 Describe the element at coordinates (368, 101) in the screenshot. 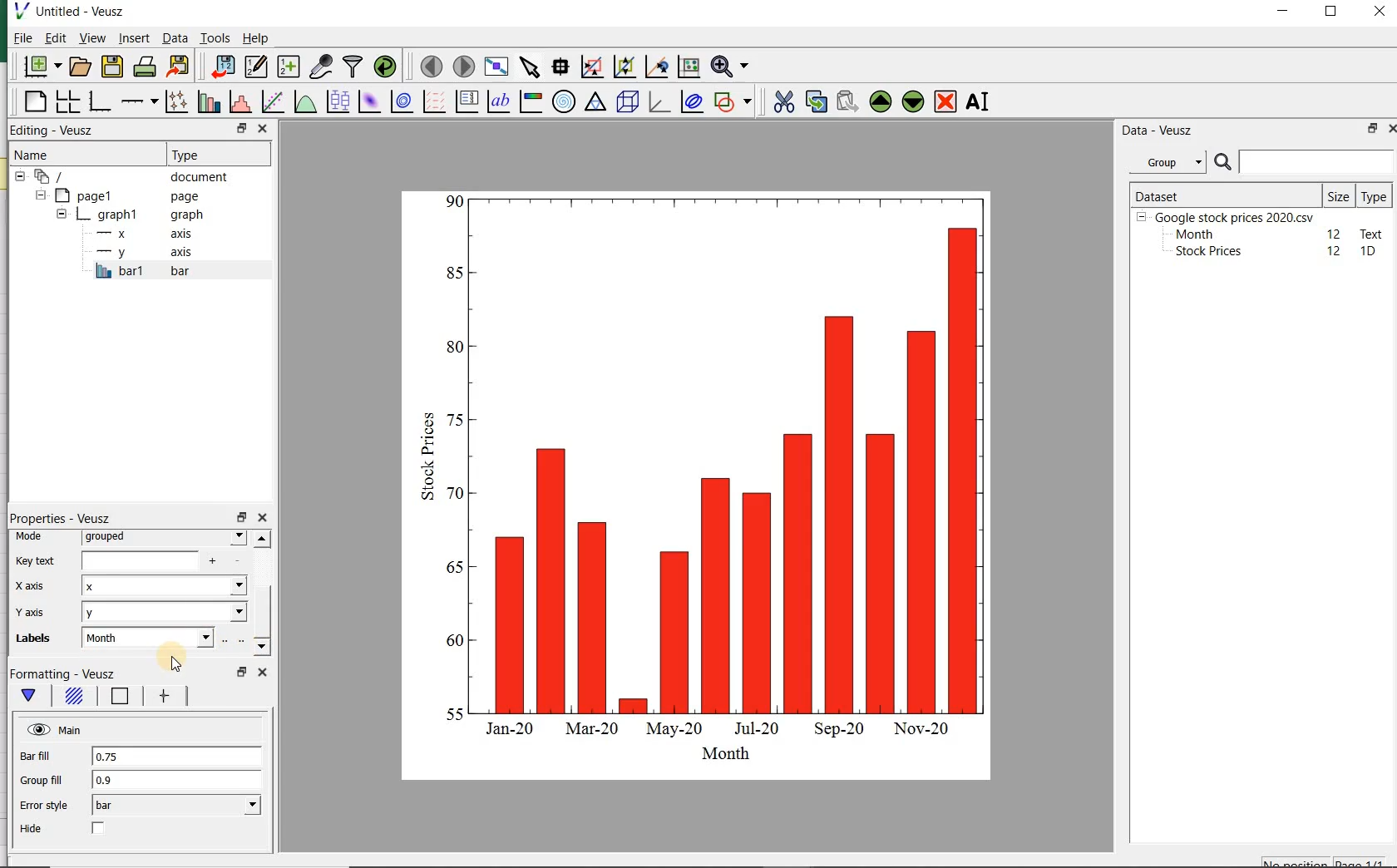

I see `plot a 2d dataset as an image` at that location.